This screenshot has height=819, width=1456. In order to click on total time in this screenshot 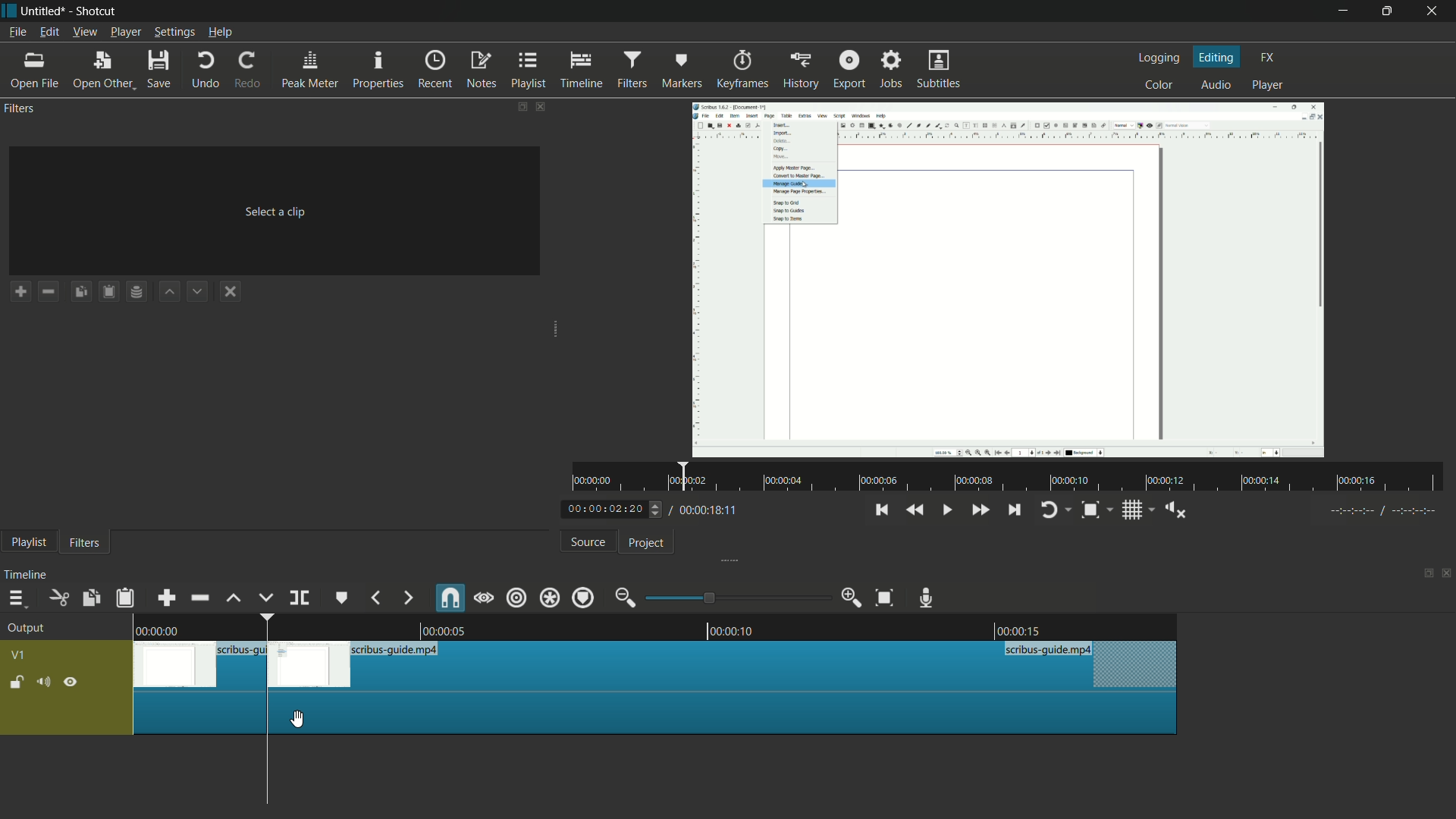, I will do `click(704, 510)`.